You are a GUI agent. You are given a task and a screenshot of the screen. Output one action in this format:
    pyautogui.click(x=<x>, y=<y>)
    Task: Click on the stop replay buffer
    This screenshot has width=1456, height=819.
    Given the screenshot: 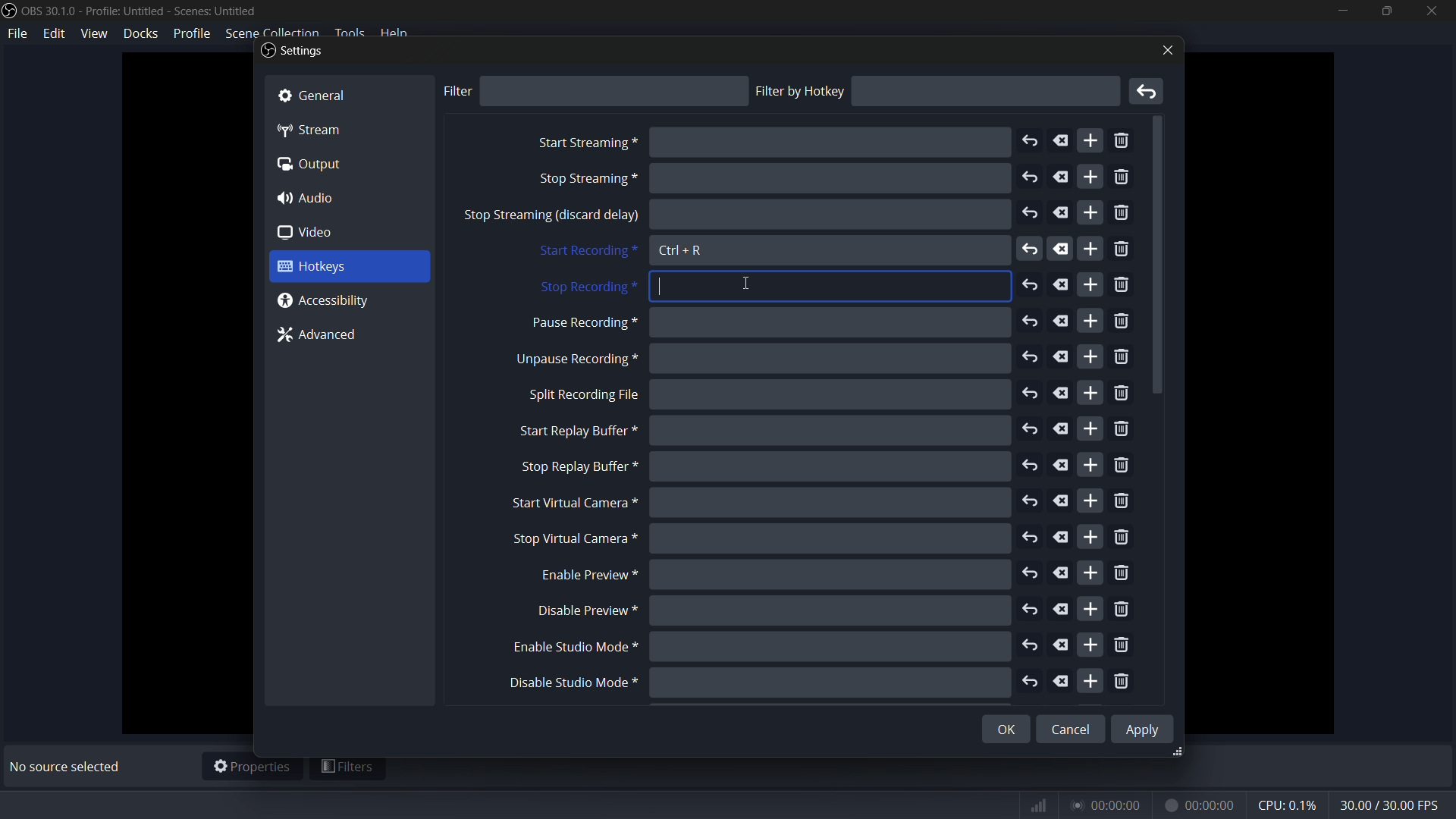 What is the action you would take?
    pyautogui.click(x=577, y=467)
    